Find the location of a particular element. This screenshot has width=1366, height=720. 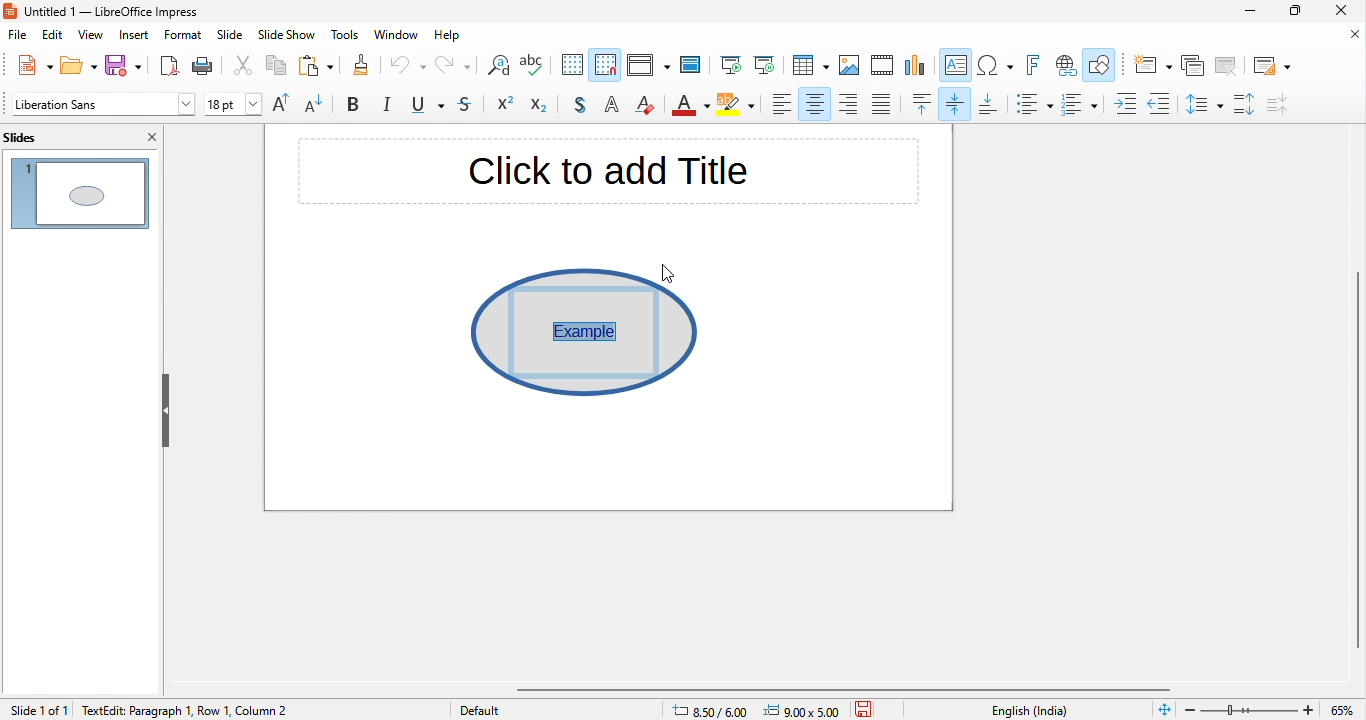

hyperlink is located at coordinates (1065, 66).